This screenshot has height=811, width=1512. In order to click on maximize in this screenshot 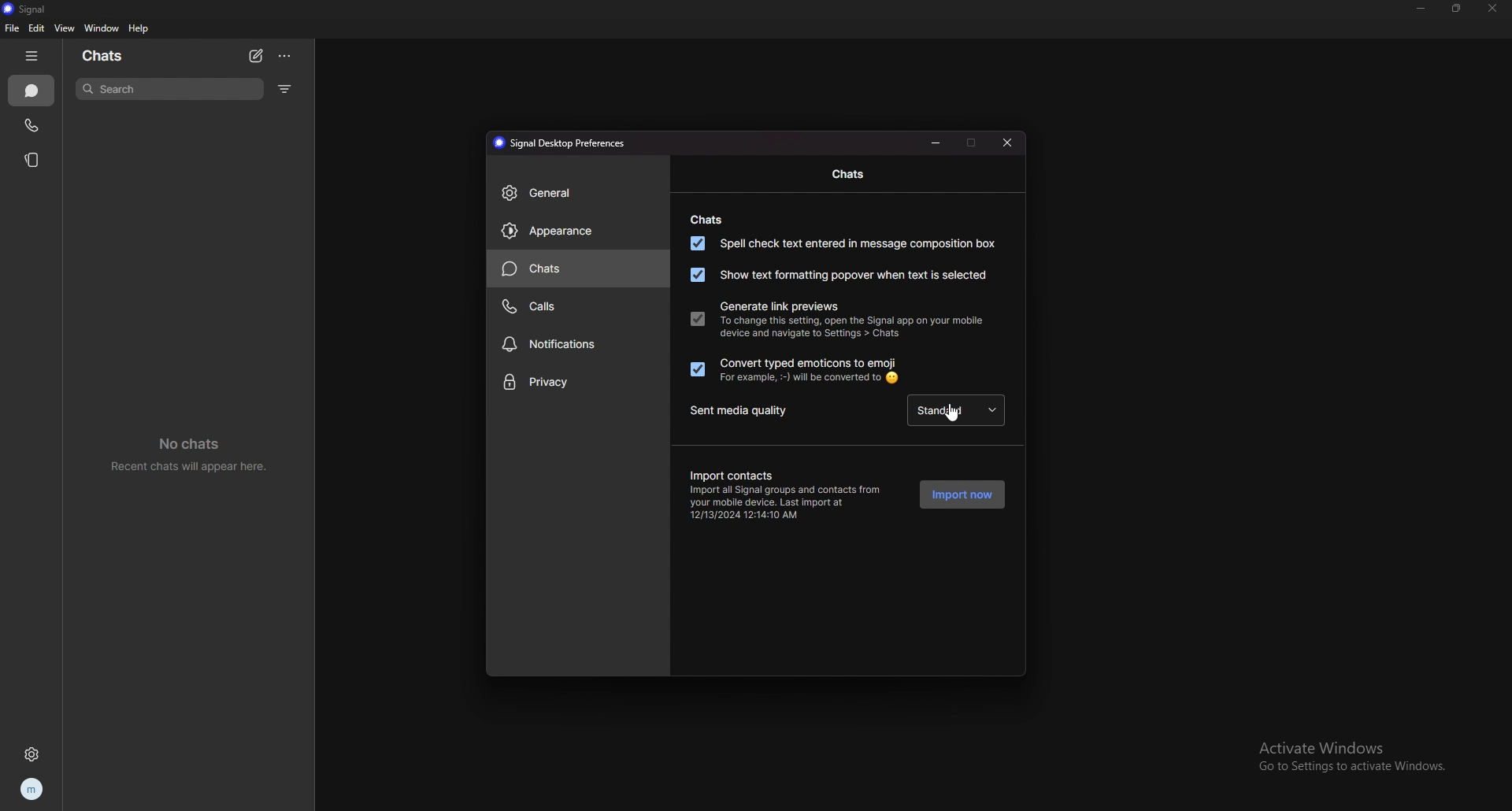, I will do `click(972, 142)`.